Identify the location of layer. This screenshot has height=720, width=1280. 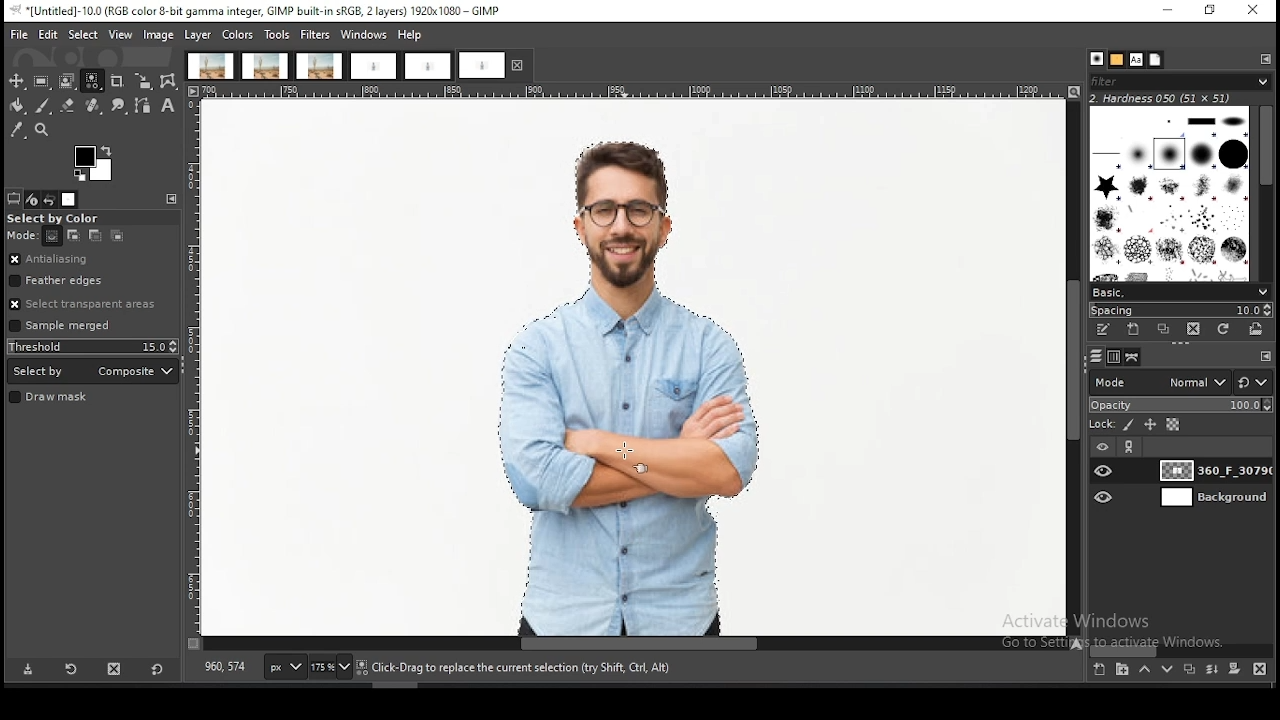
(1212, 497).